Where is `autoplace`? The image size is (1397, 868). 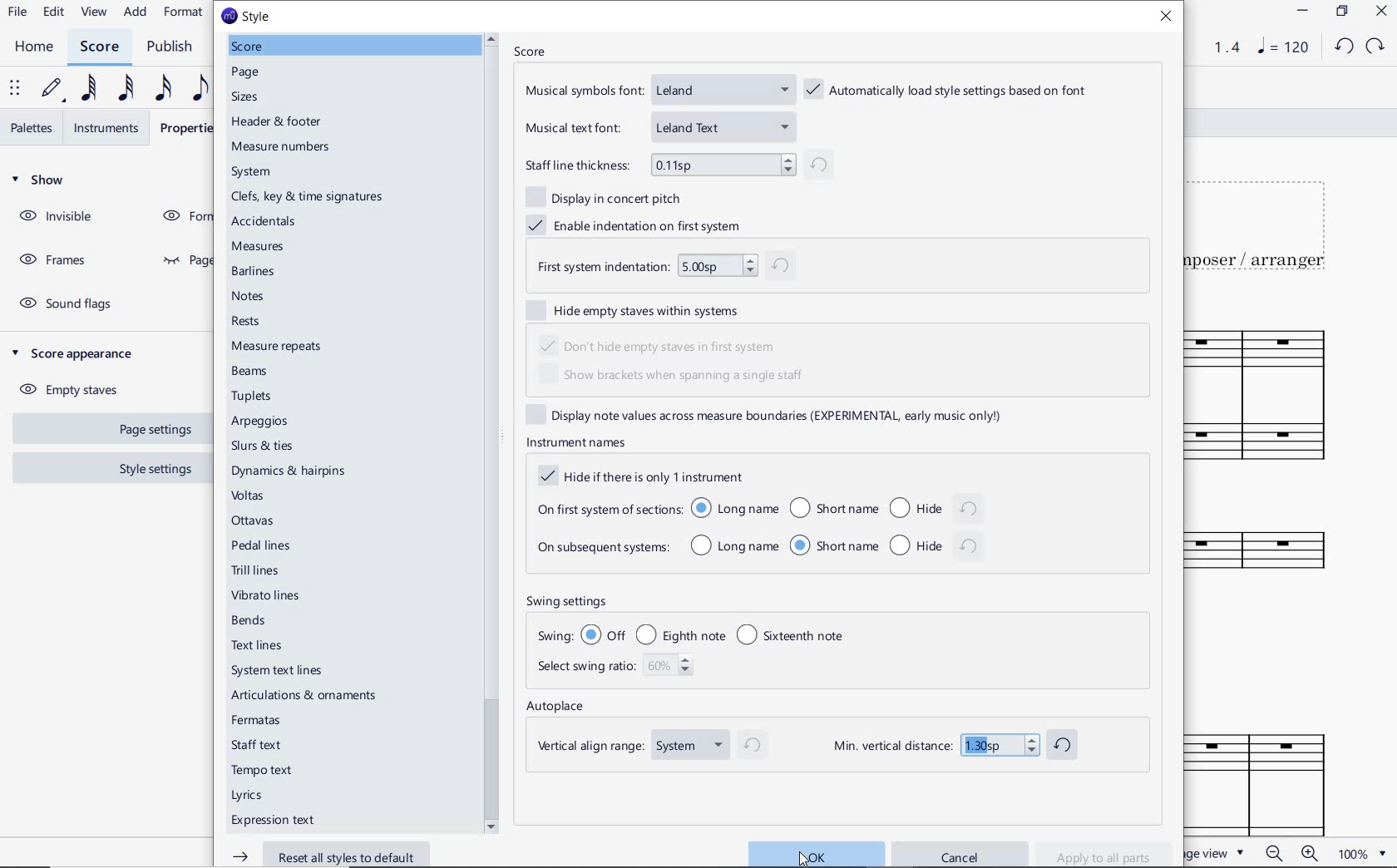
autoplace is located at coordinates (559, 708).